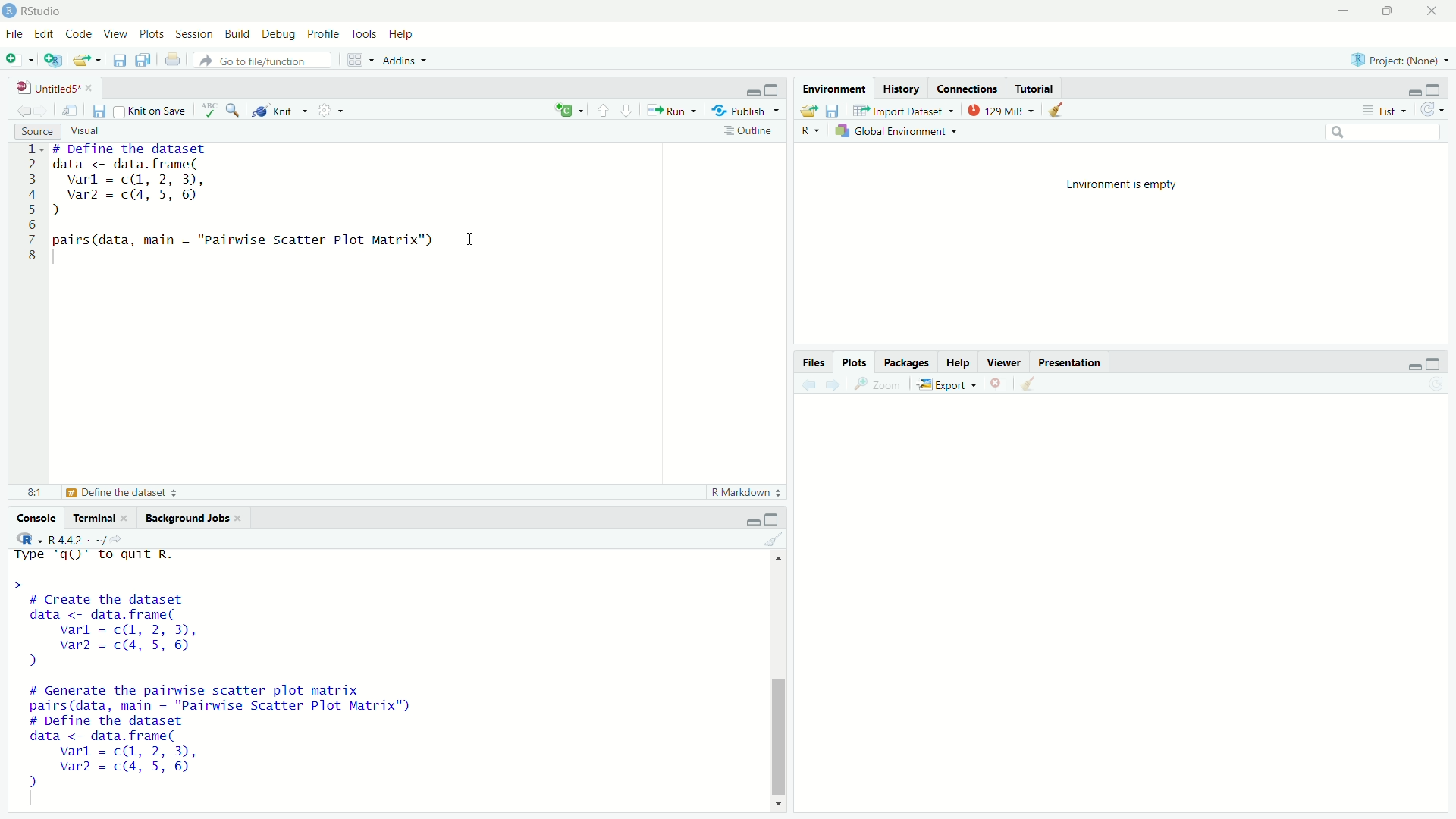  I want to click on Go forward to the next source location (Ctrl + F10), so click(830, 383).